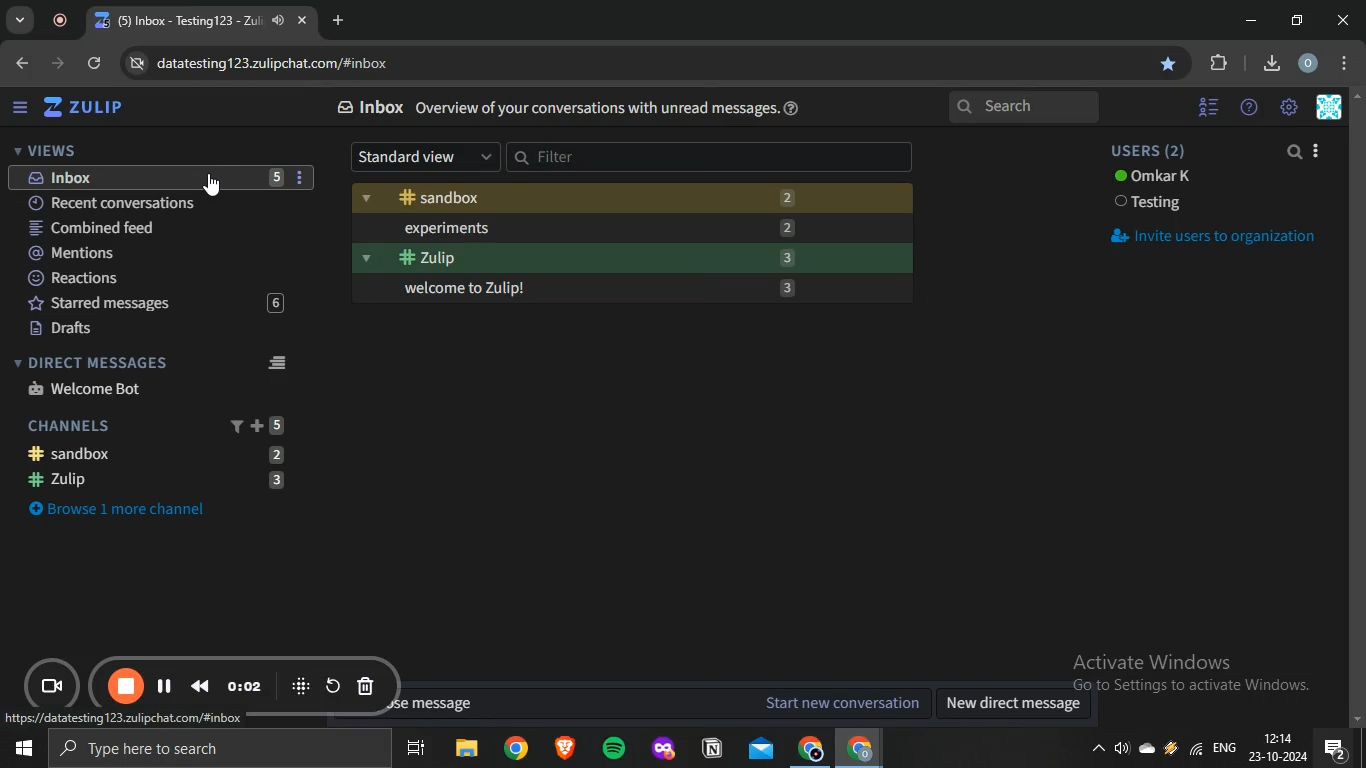 The height and width of the screenshot is (768, 1366). What do you see at coordinates (563, 750) in the screenshot?
I see `brave` at bounding box center [563, 750].